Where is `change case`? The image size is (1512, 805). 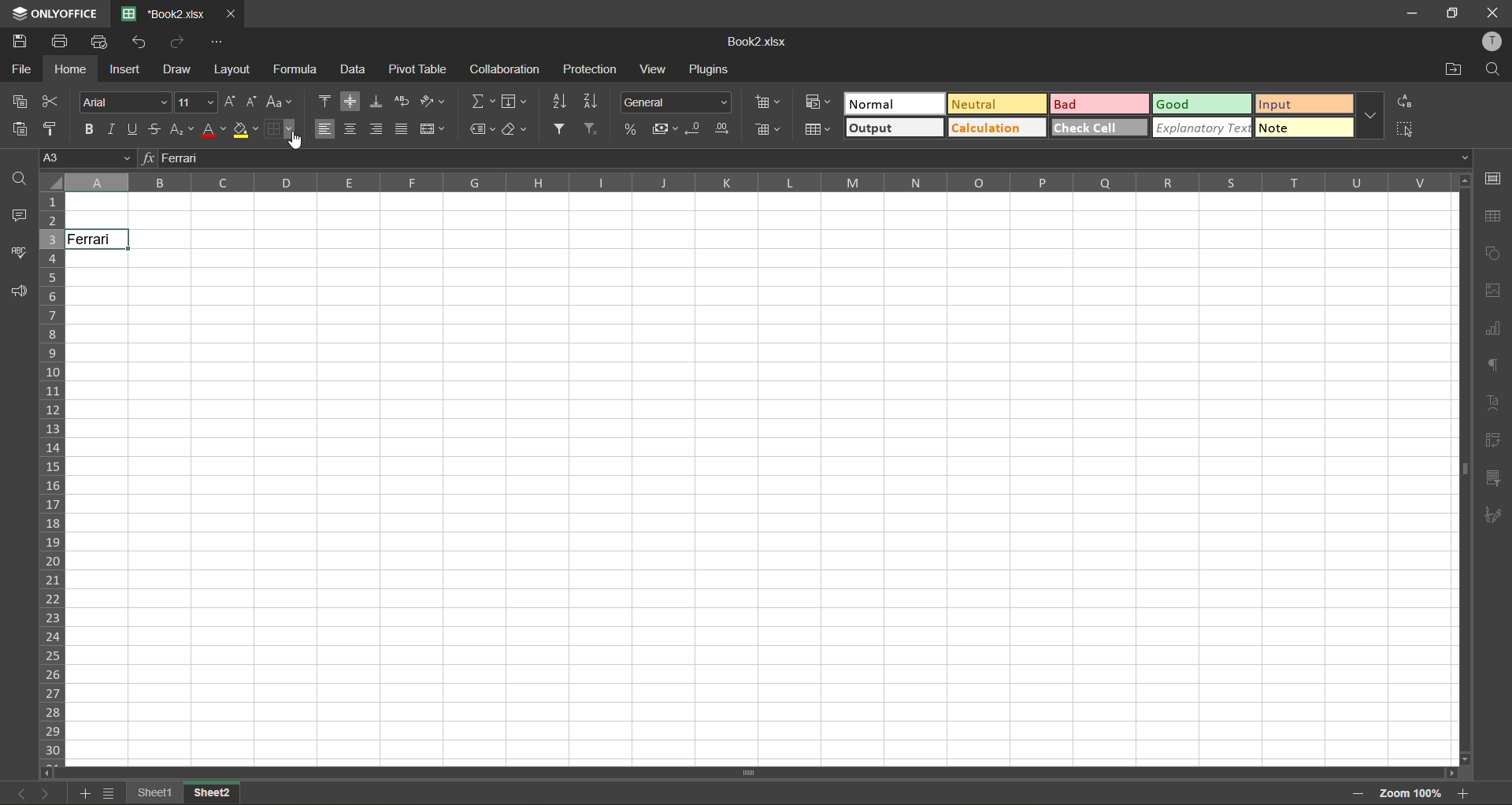 change case is located at coordinates (281, 101).